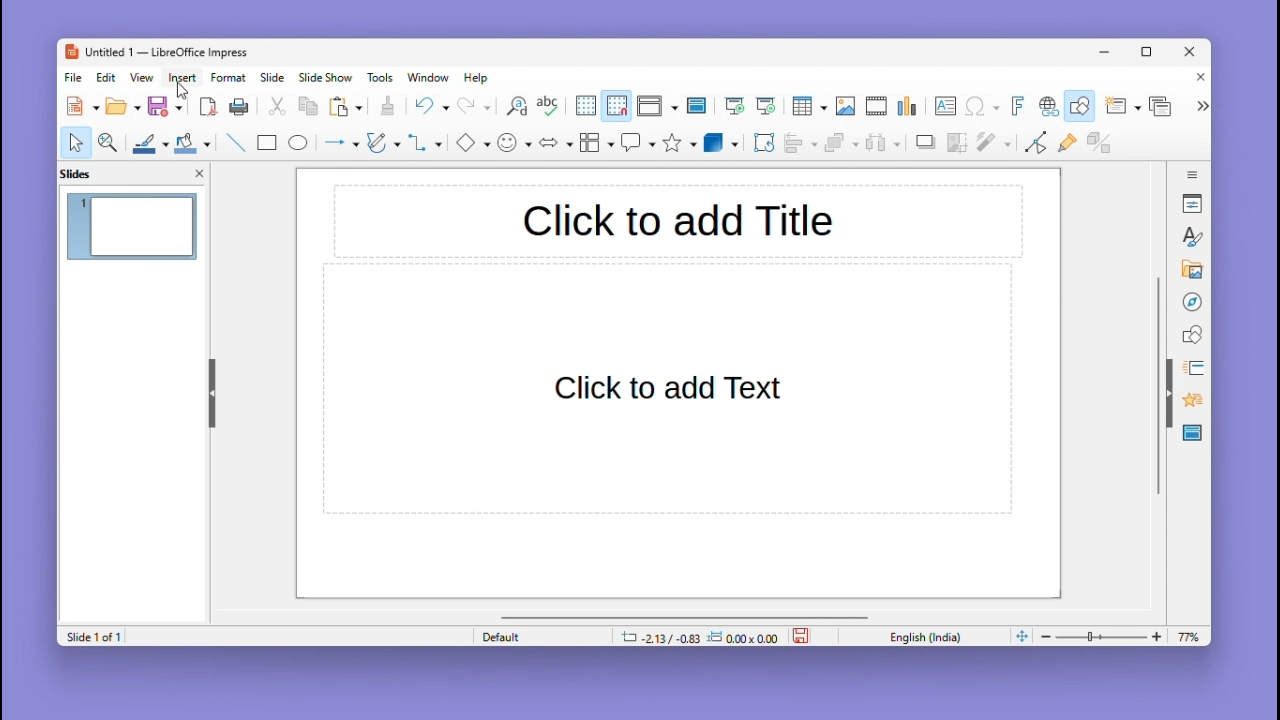 The image size is (1280, 720). I want to click on Font work, so click(1016, 106).